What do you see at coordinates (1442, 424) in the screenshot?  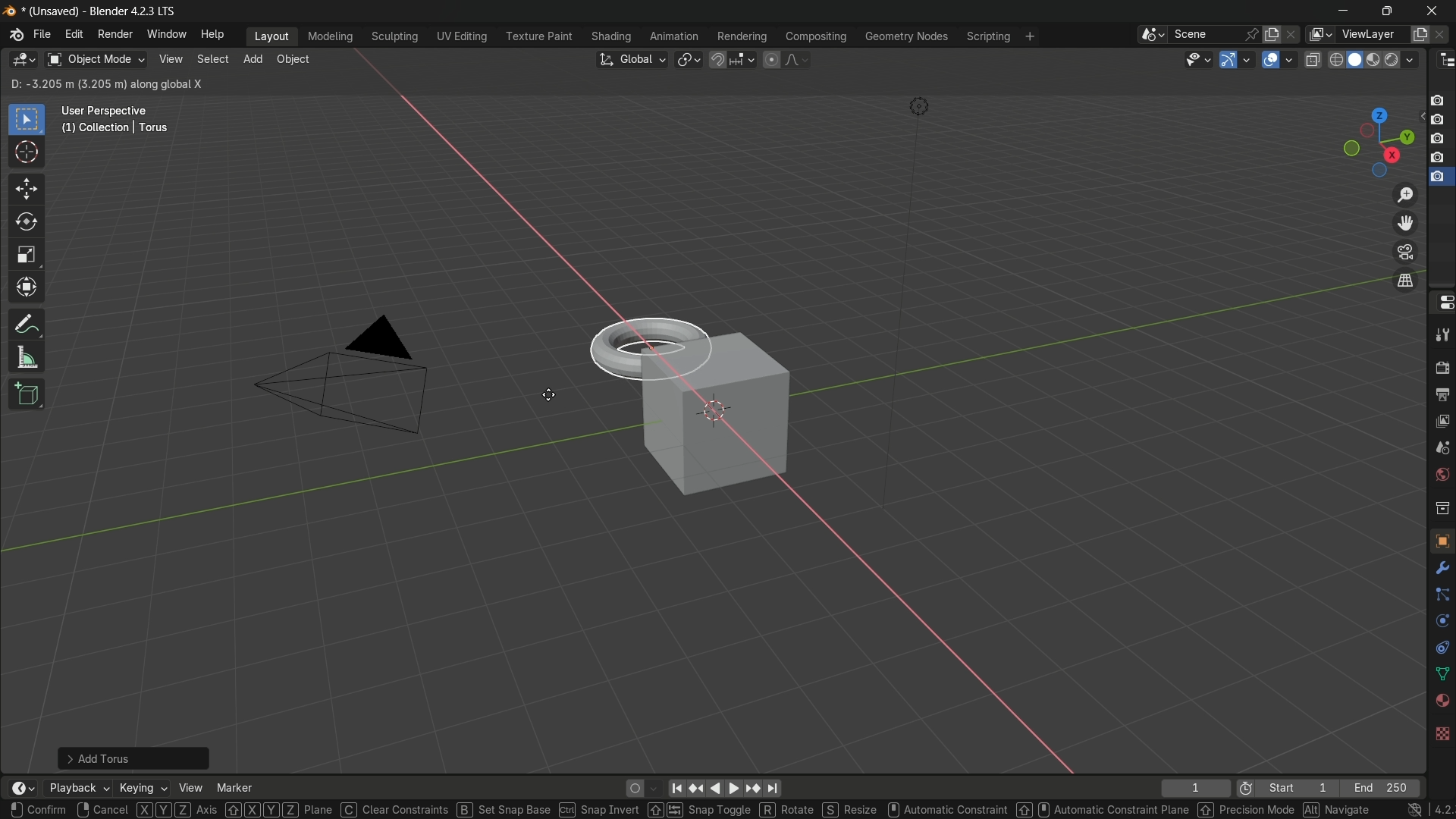 I see `view` at bounding box center [1442, 424].